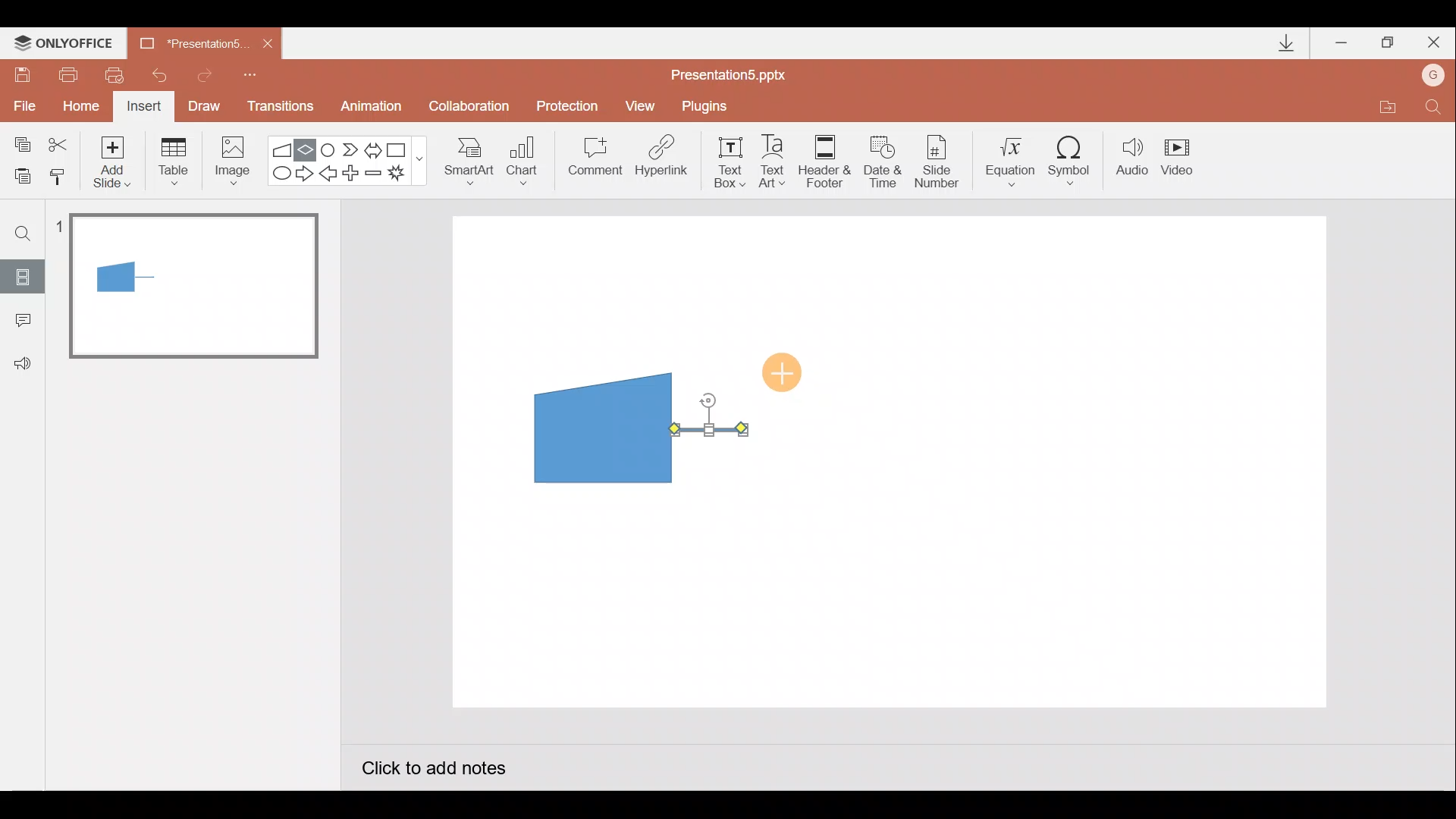 The width and height of the screenshot is (1456, 819). What do you see at coordinates (306, 172) in the screenshot?
I see `Right arrow` at bounding box center [306, 172].